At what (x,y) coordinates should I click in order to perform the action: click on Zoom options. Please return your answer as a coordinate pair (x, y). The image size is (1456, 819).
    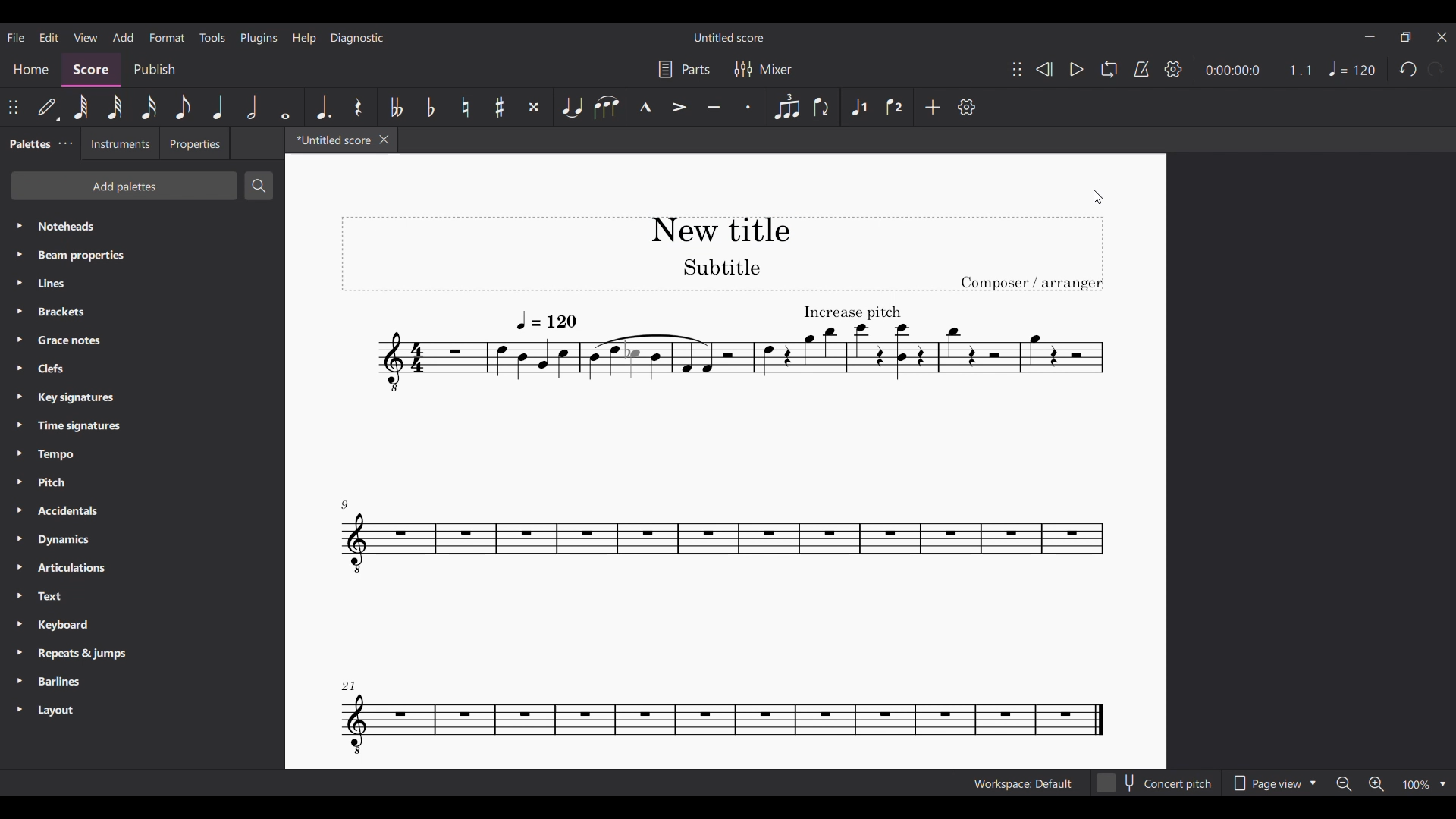
    Looking at the image, I should click on (1425, 784).